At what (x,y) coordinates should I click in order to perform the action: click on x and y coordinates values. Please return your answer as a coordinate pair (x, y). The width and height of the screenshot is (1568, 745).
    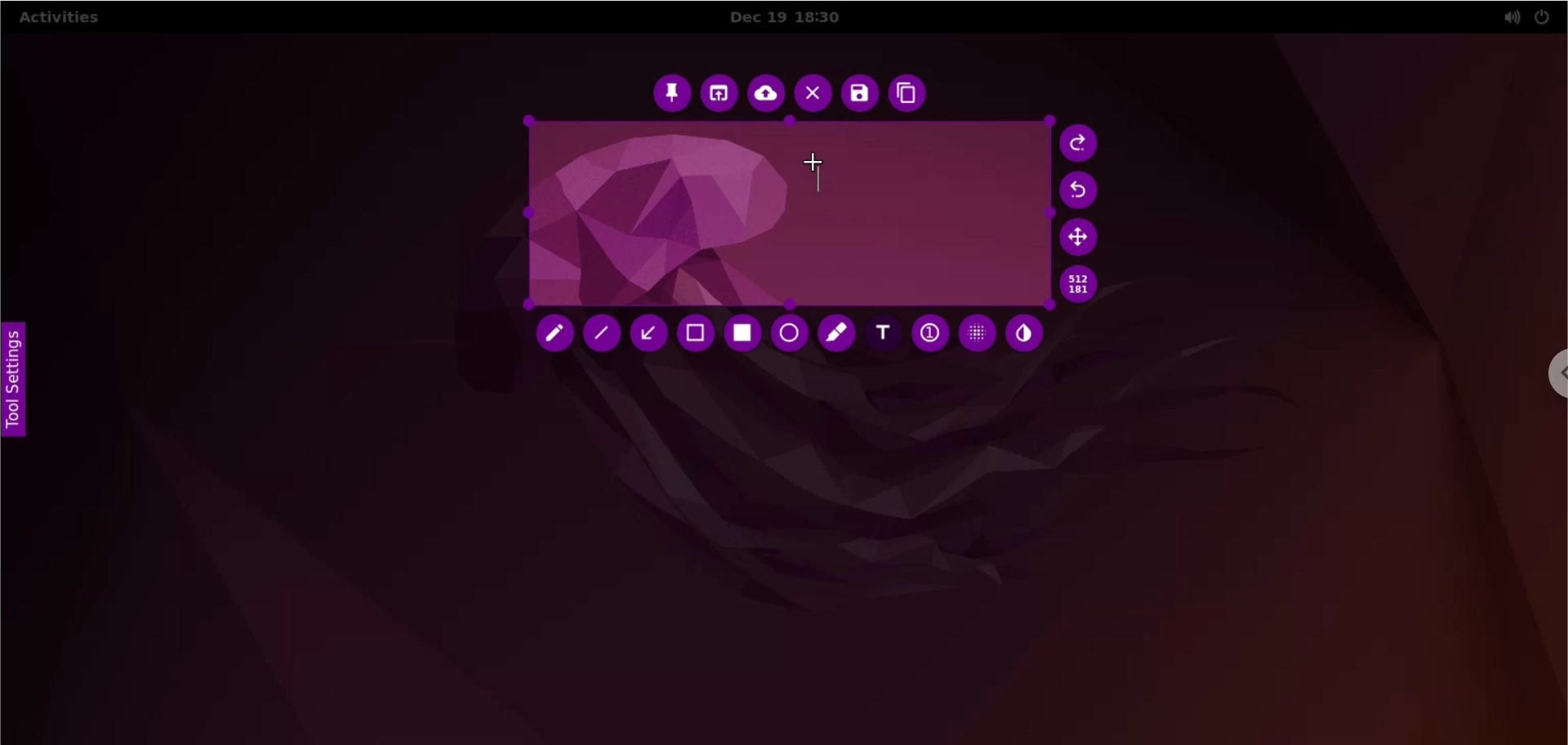
    Looking at the image, I should click on (1085, 287).